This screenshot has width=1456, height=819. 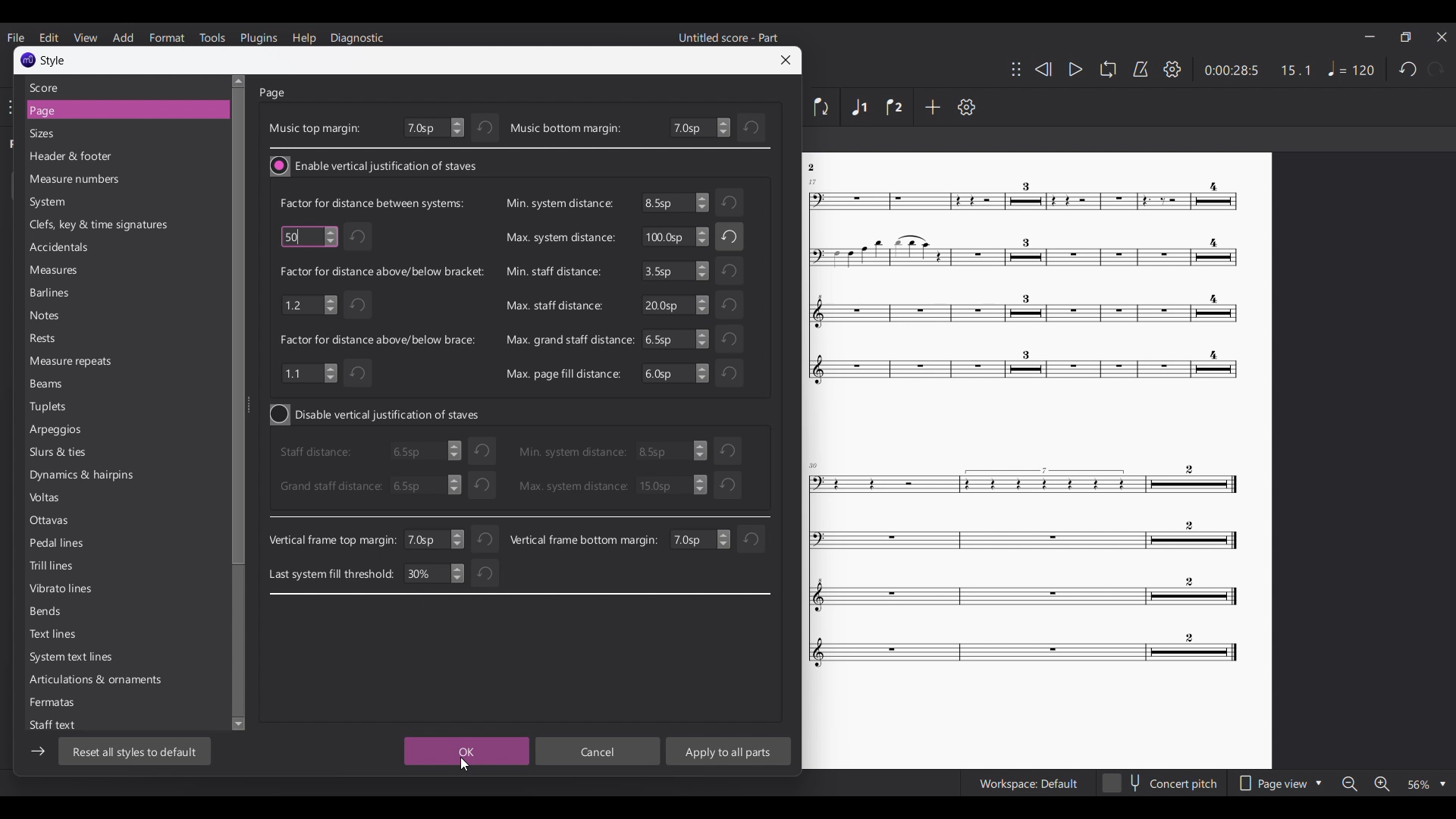 I want to click on Zoom in, so click(x=1382, y=784).